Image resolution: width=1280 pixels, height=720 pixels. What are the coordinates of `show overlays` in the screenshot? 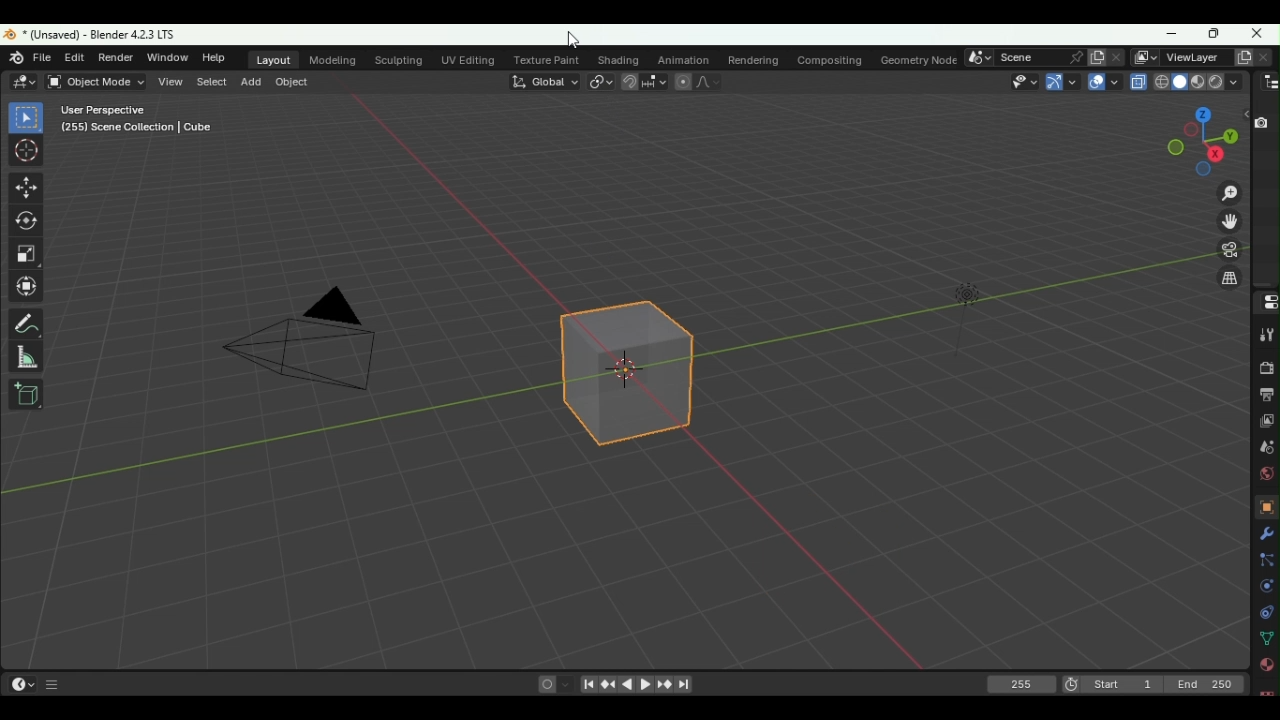 It's located at (1104, 82).